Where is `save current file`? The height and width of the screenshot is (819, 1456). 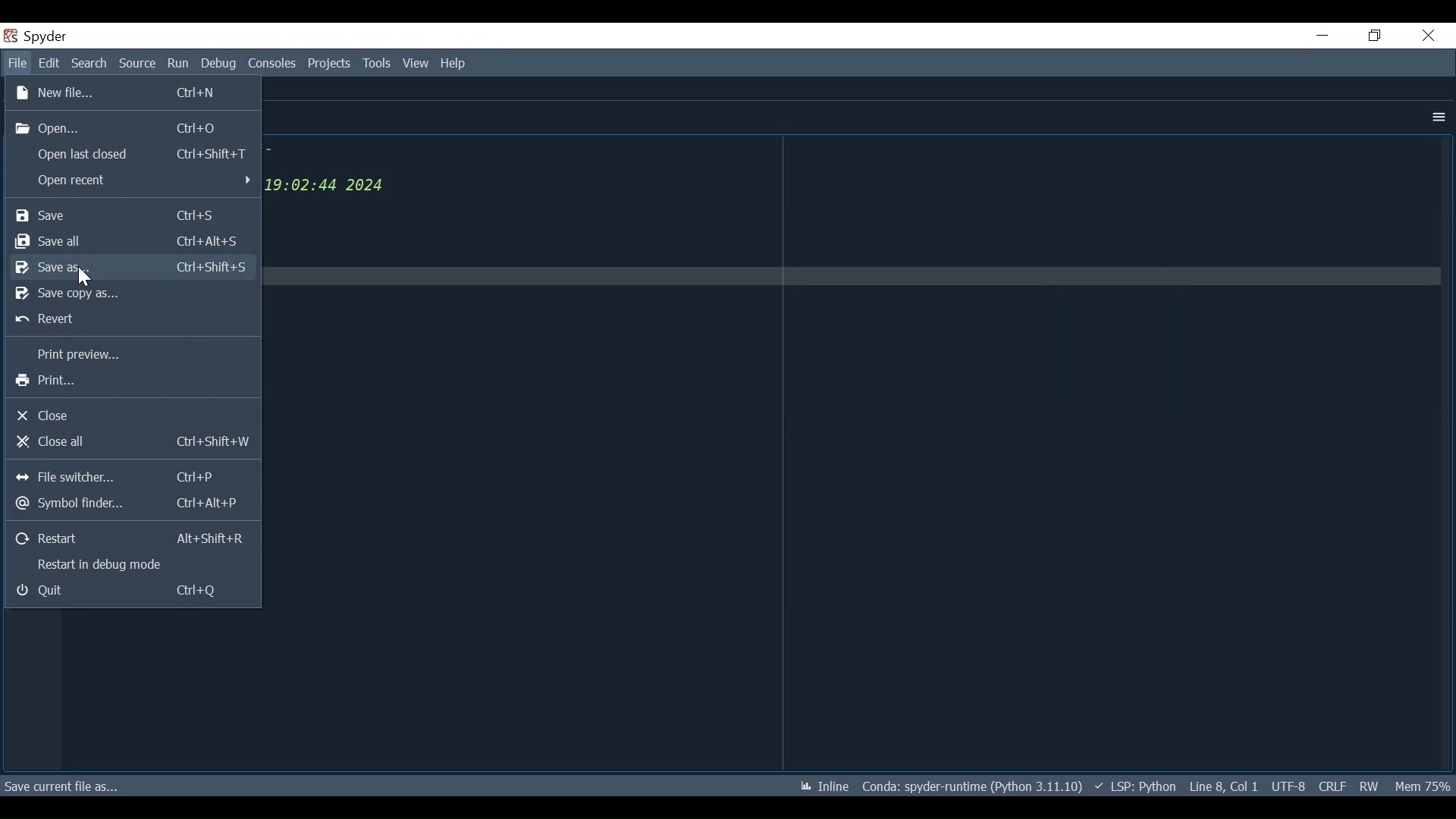
save current file is located at coordinates (63, 785).